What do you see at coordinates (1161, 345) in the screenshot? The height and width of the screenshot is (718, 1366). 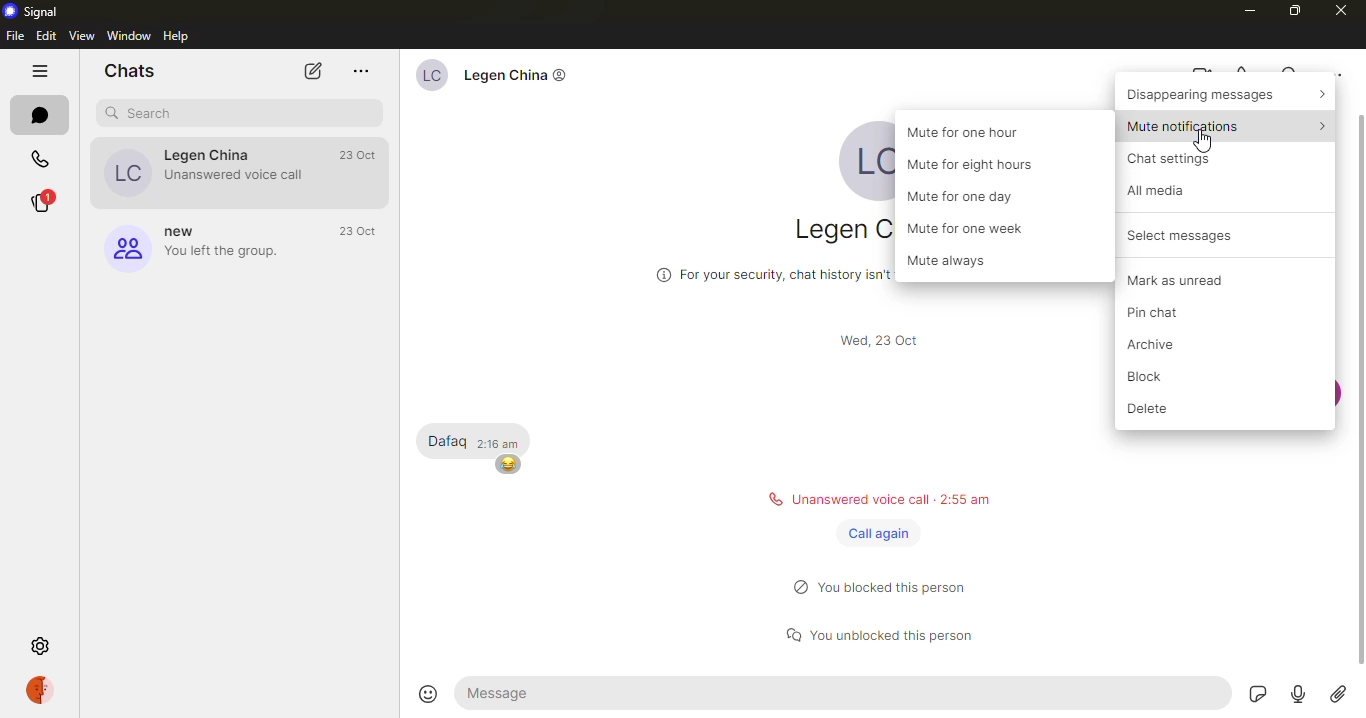 I see `archive` at bounding box center [1161, 345].